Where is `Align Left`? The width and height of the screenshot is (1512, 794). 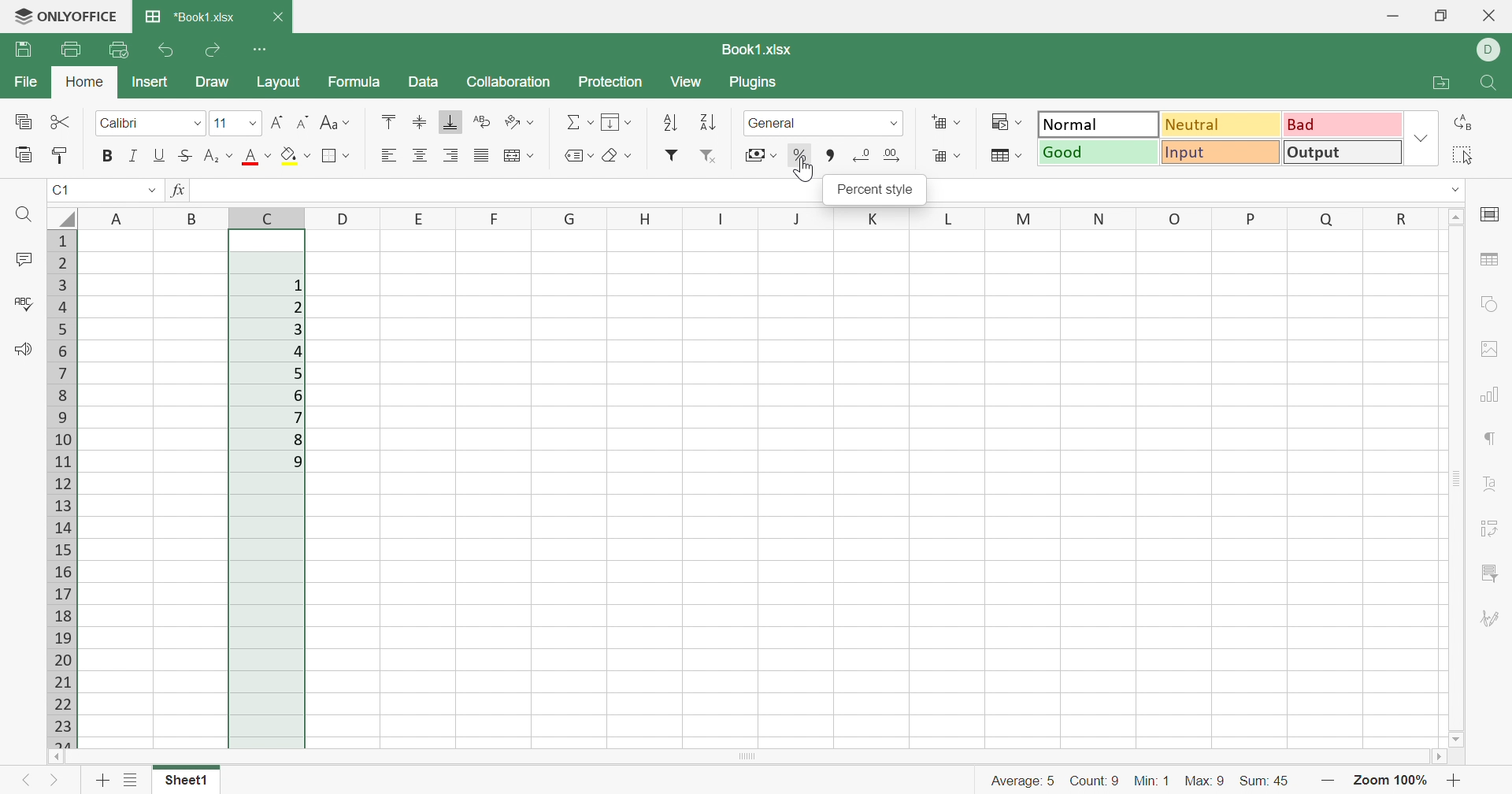 Align Left is located at coordinates (386, 154).